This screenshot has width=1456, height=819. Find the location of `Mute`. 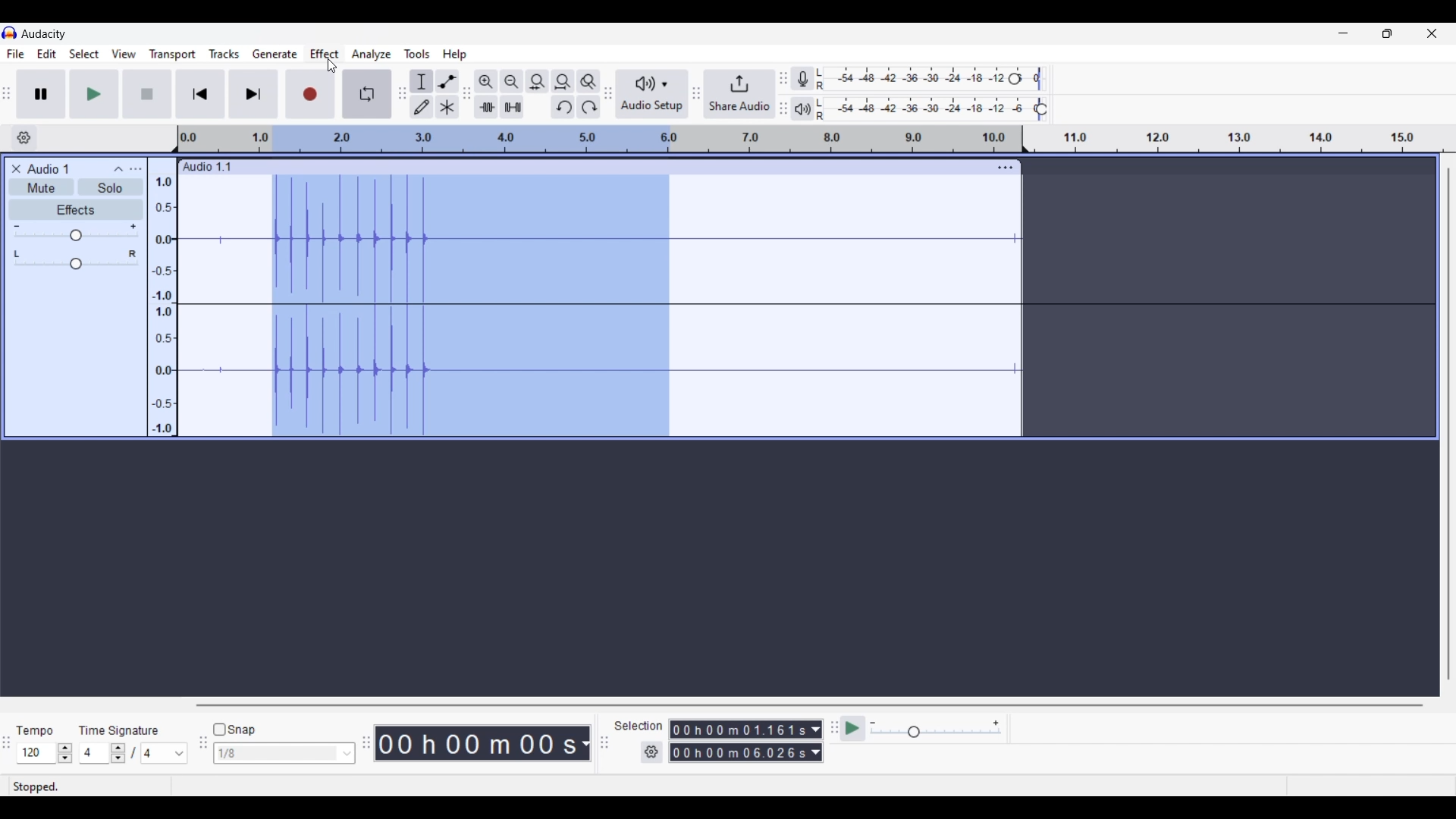

Mute is located at coordinates (41, 187).